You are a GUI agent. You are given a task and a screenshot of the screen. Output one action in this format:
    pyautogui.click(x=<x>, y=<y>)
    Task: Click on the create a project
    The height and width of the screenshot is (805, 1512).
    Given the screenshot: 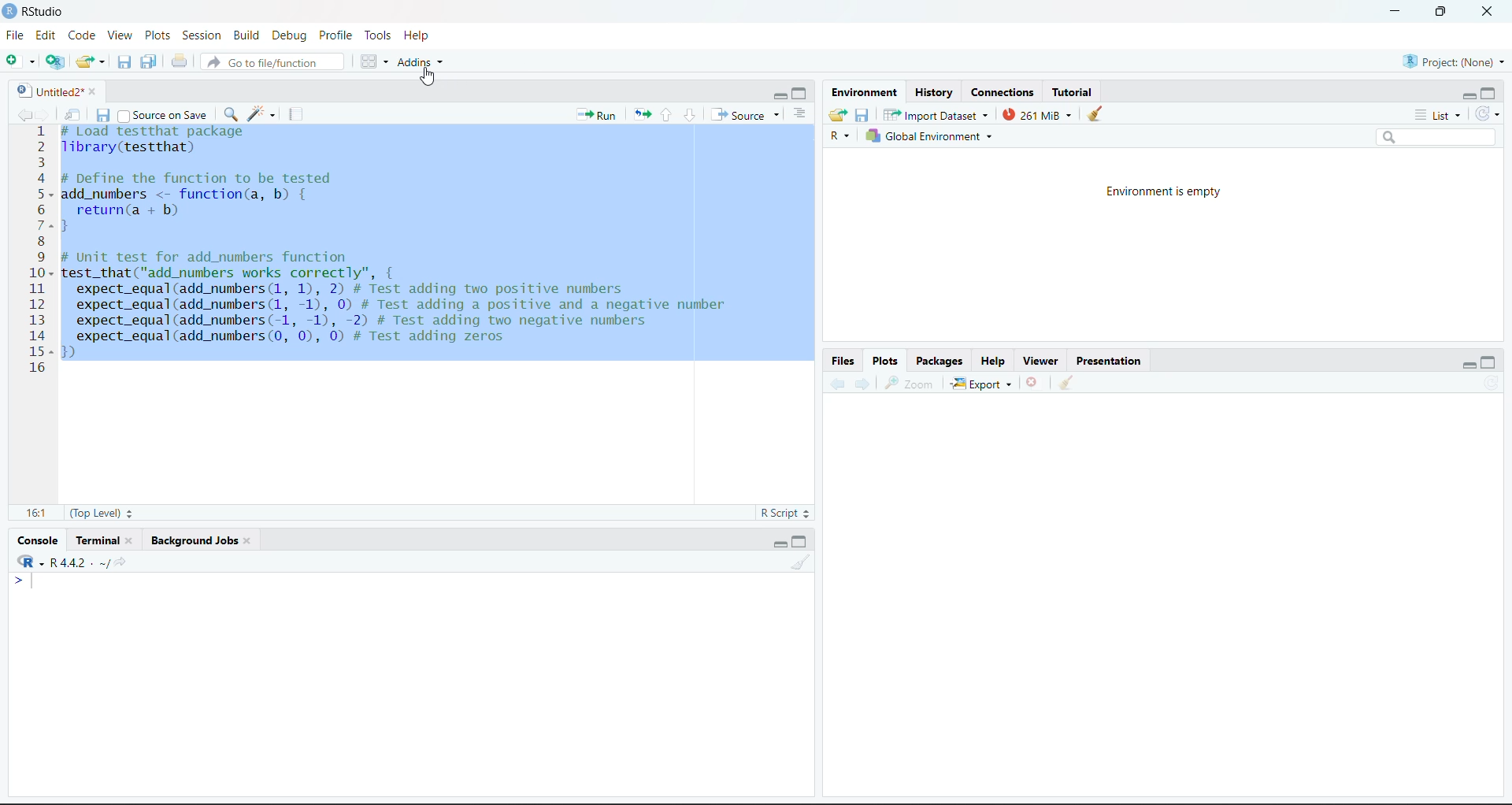 What is the action you would take?
    pyautogui.click(x=54, y=61)
    